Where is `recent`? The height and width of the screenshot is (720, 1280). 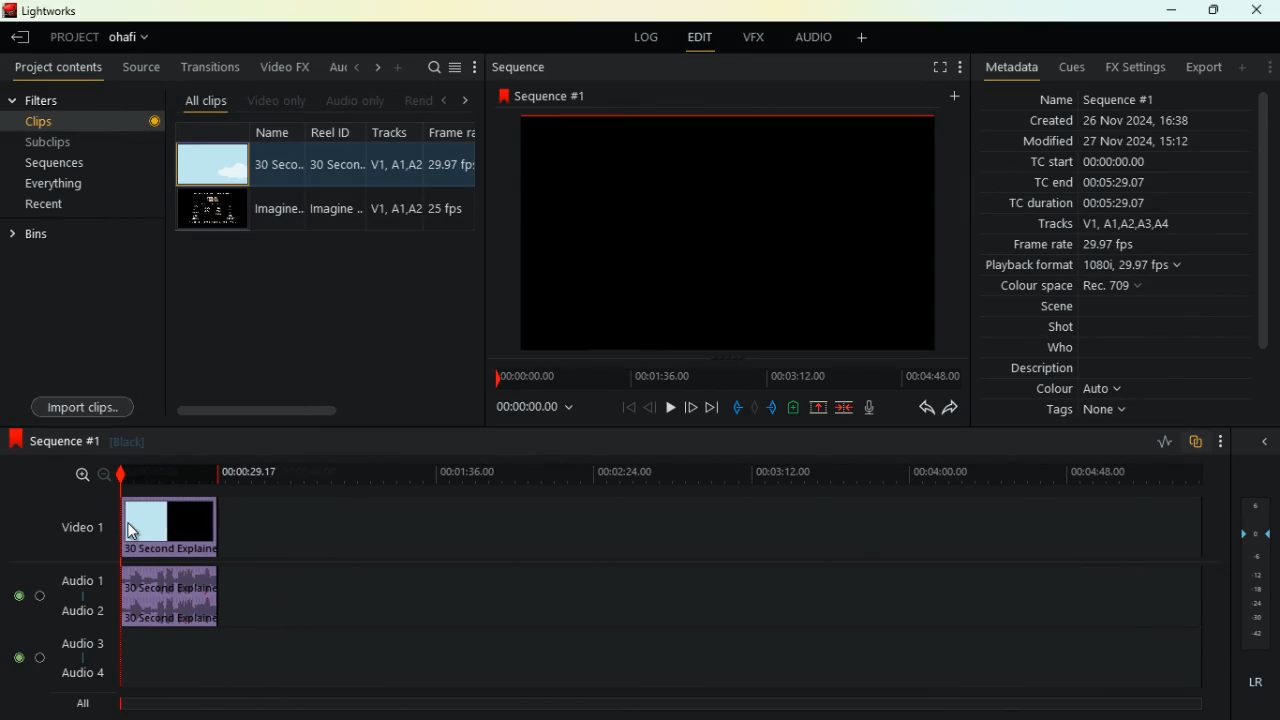
recent is located at coordinates (47, 204).